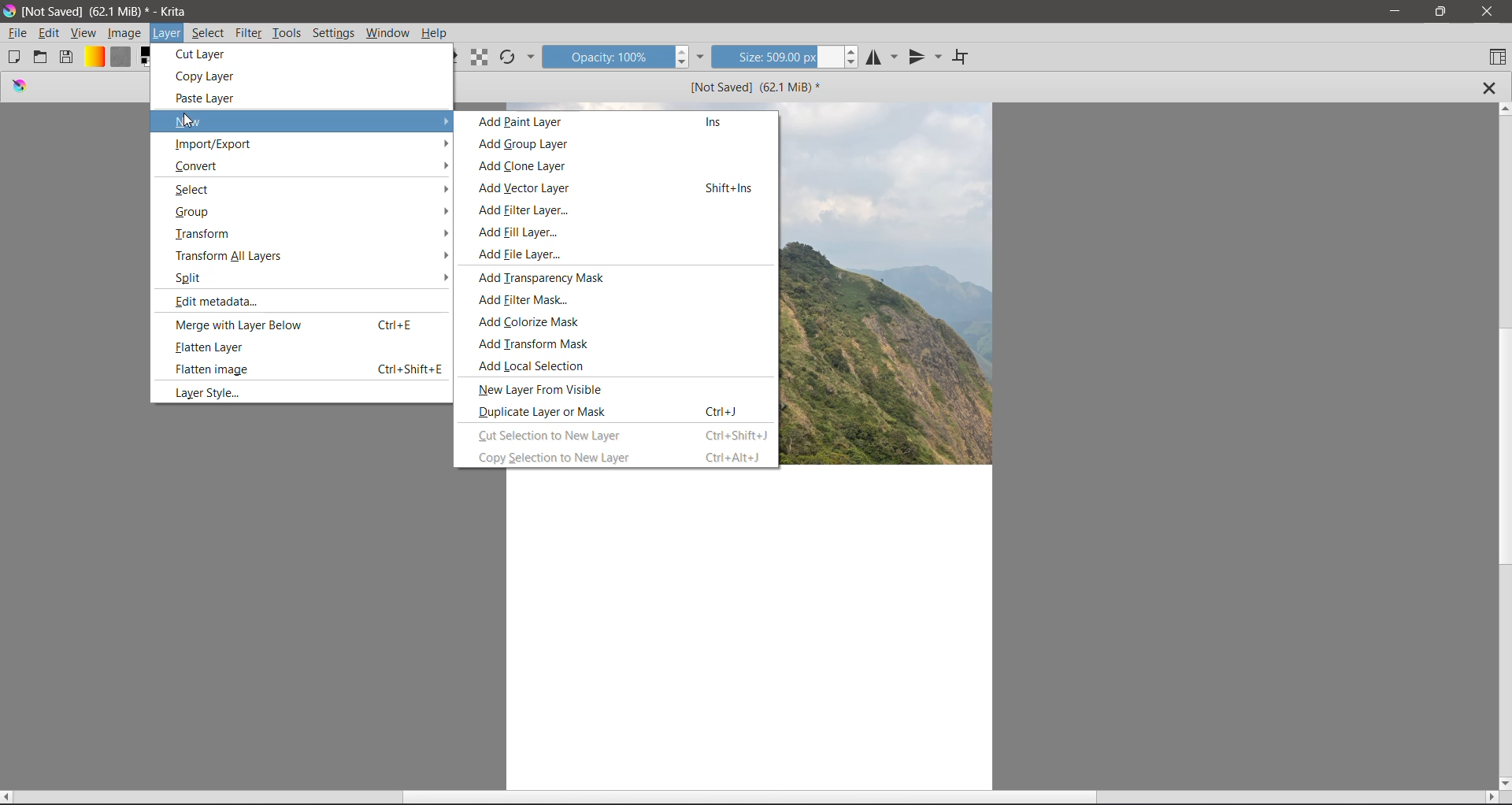 This screenshot has height=805, width=1512. Describe the element at coordinates (17, 33) in the screenshot. I see `File` at that location.